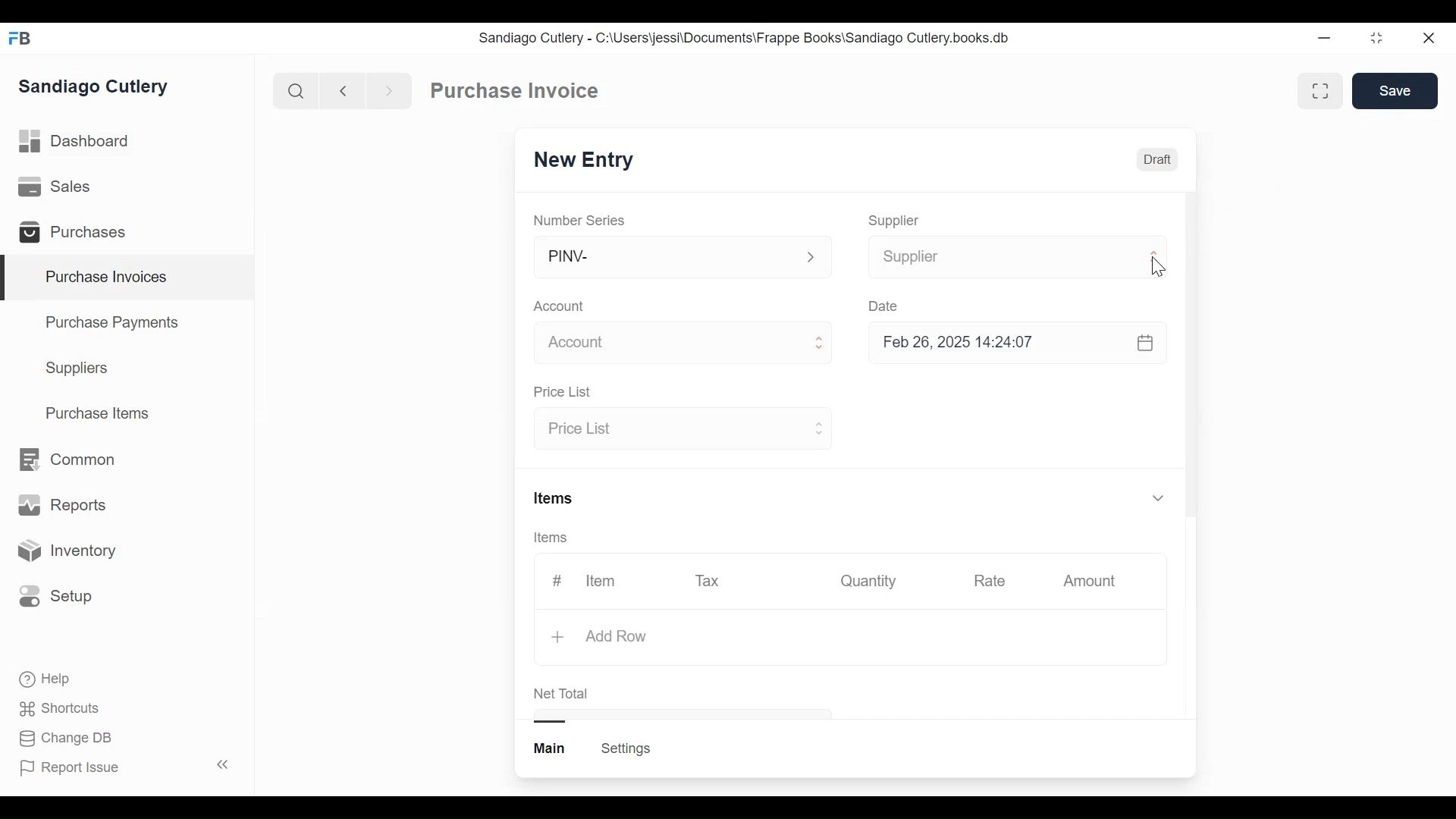 This screenshot has height=819, width=1456. Describe the element at coordinates (1321, 91) in the screenshot. I see `Toggle between form and full view` at that location.